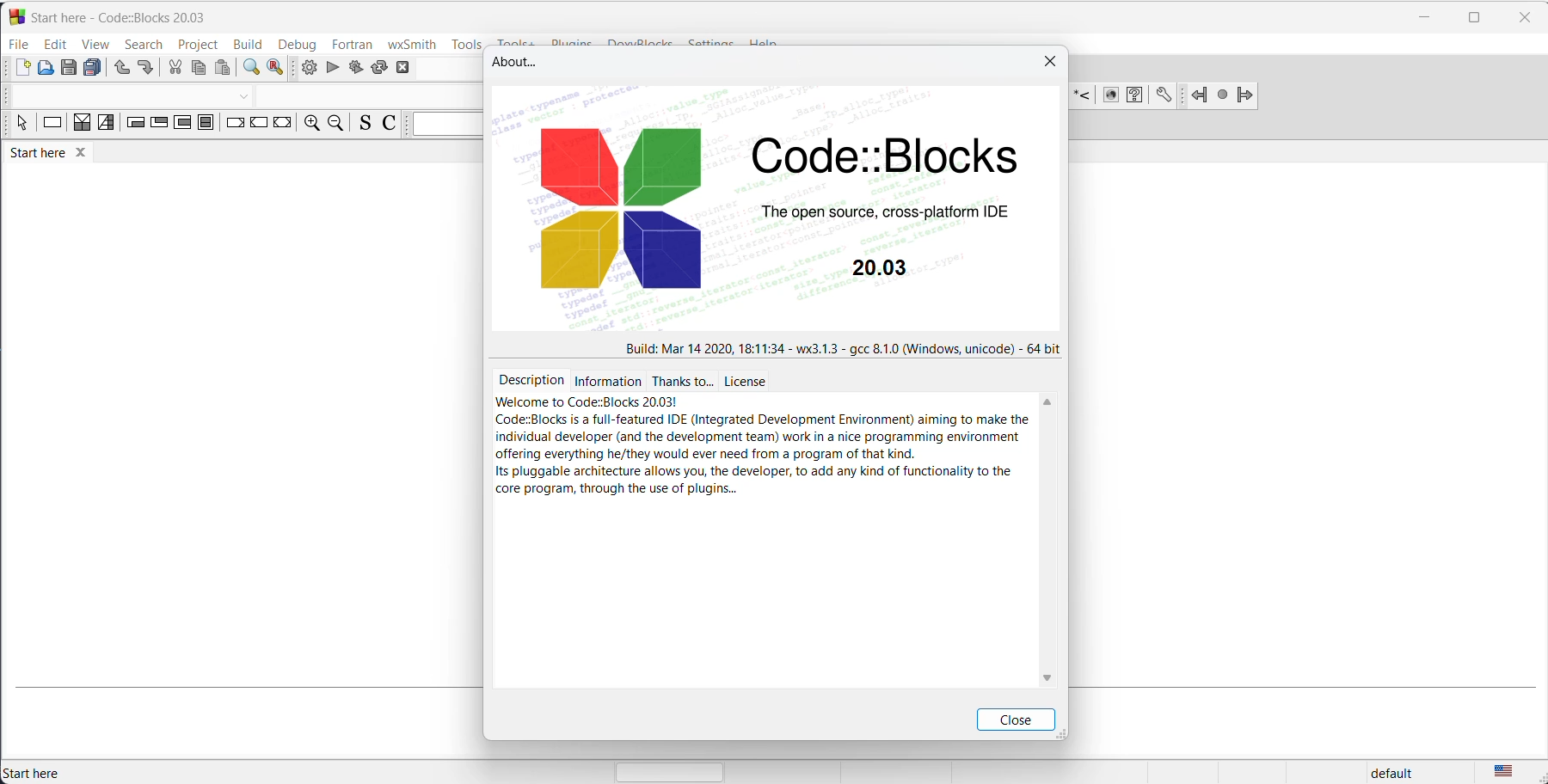 This screenshot has width=1548, height=784. I want to click on HTML, so click(1114, 98).